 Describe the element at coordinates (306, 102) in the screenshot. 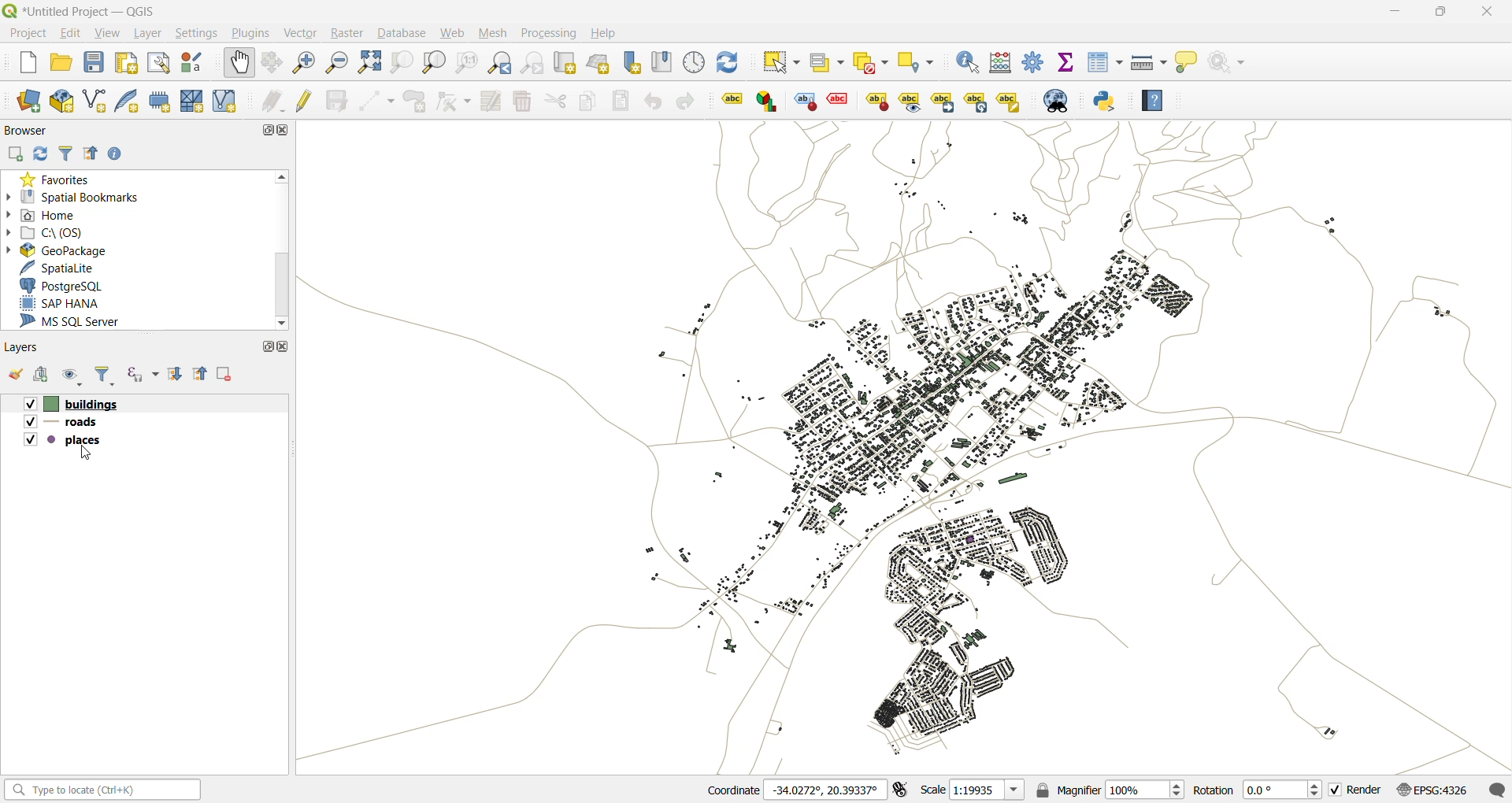

I see `toggle edits` at that location.